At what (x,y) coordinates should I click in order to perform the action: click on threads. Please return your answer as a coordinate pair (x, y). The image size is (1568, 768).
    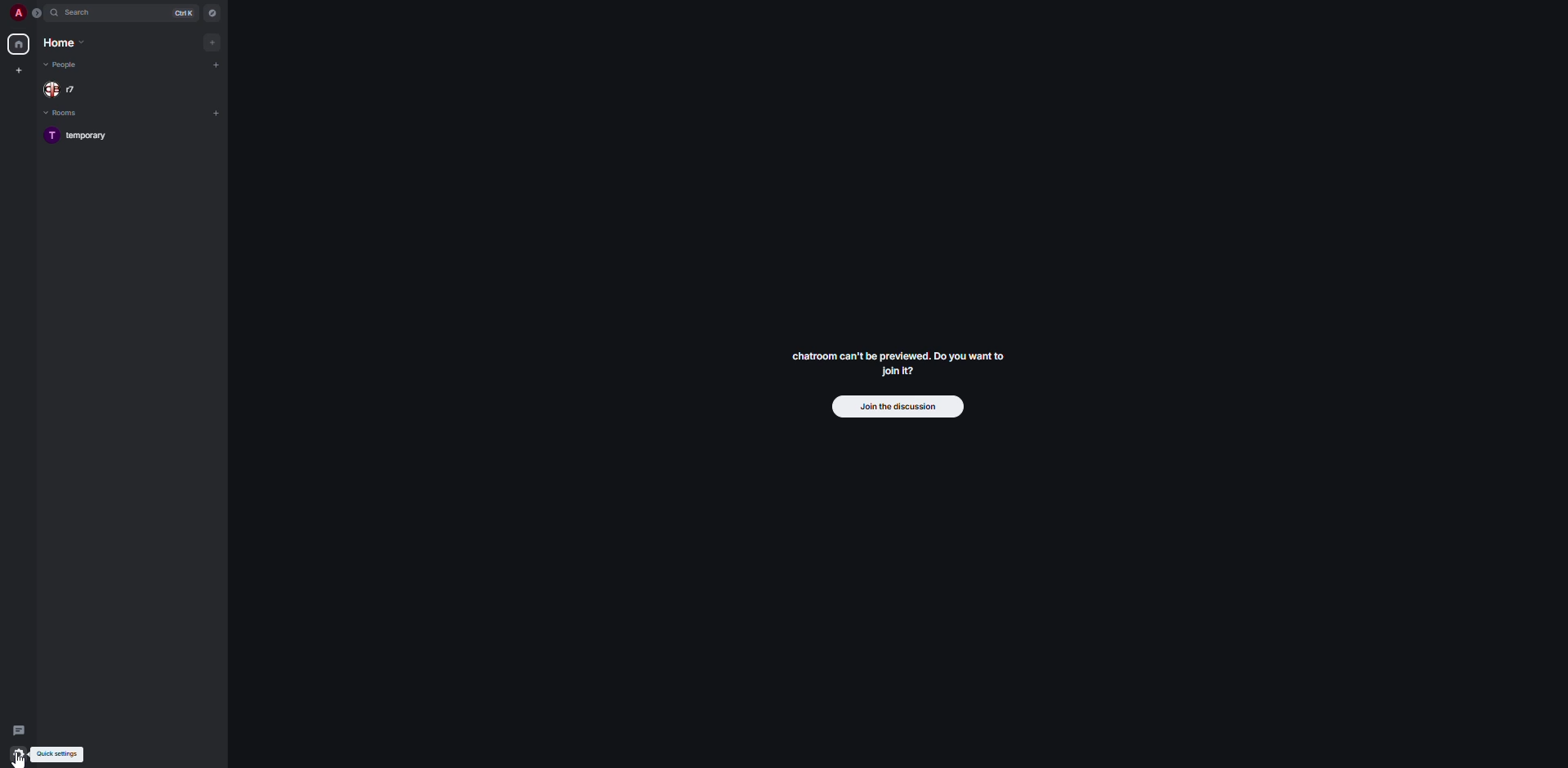
    Looking at the image, I should click on (18, 726).